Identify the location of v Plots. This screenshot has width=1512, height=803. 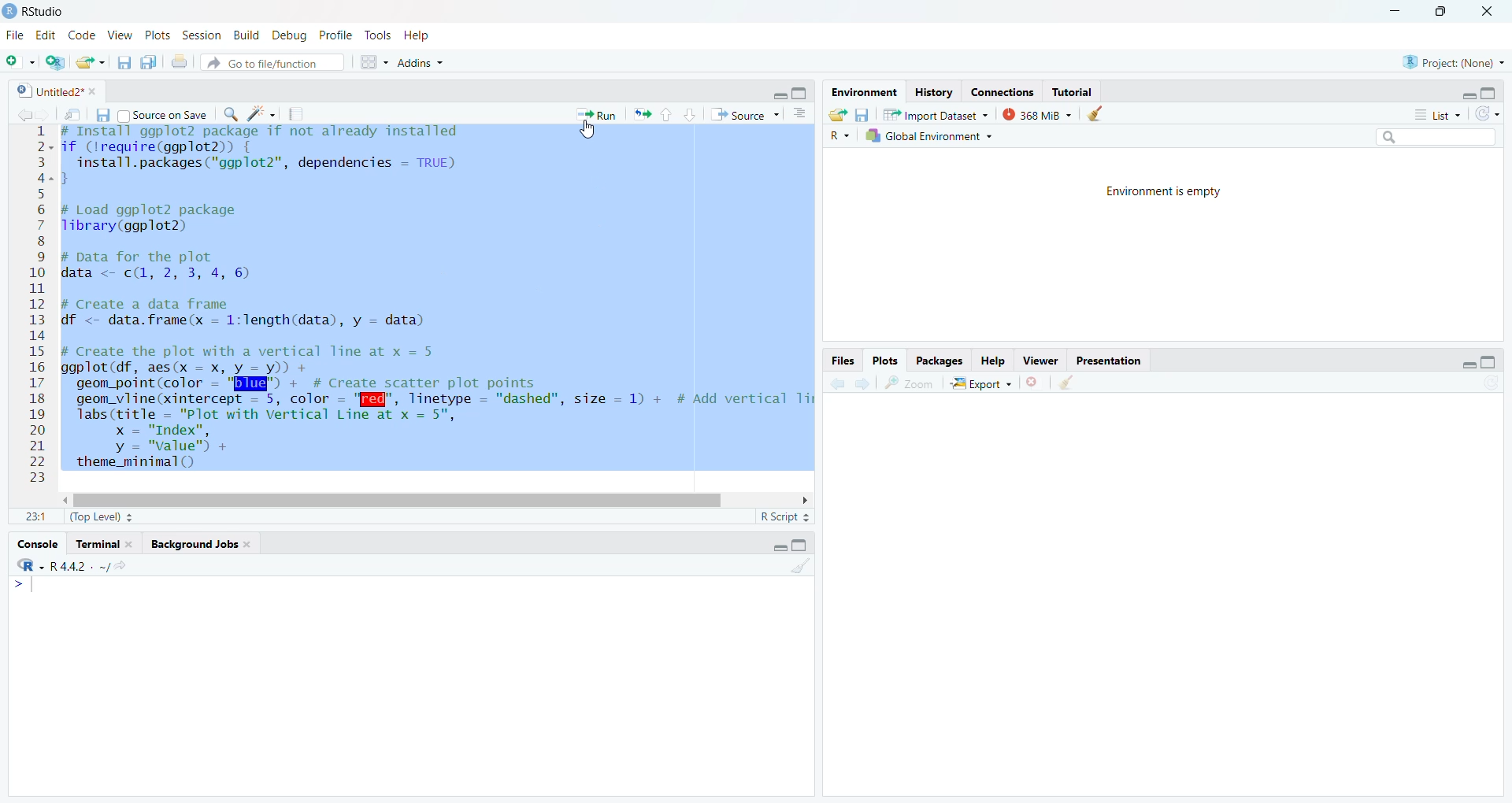
(159, 37).